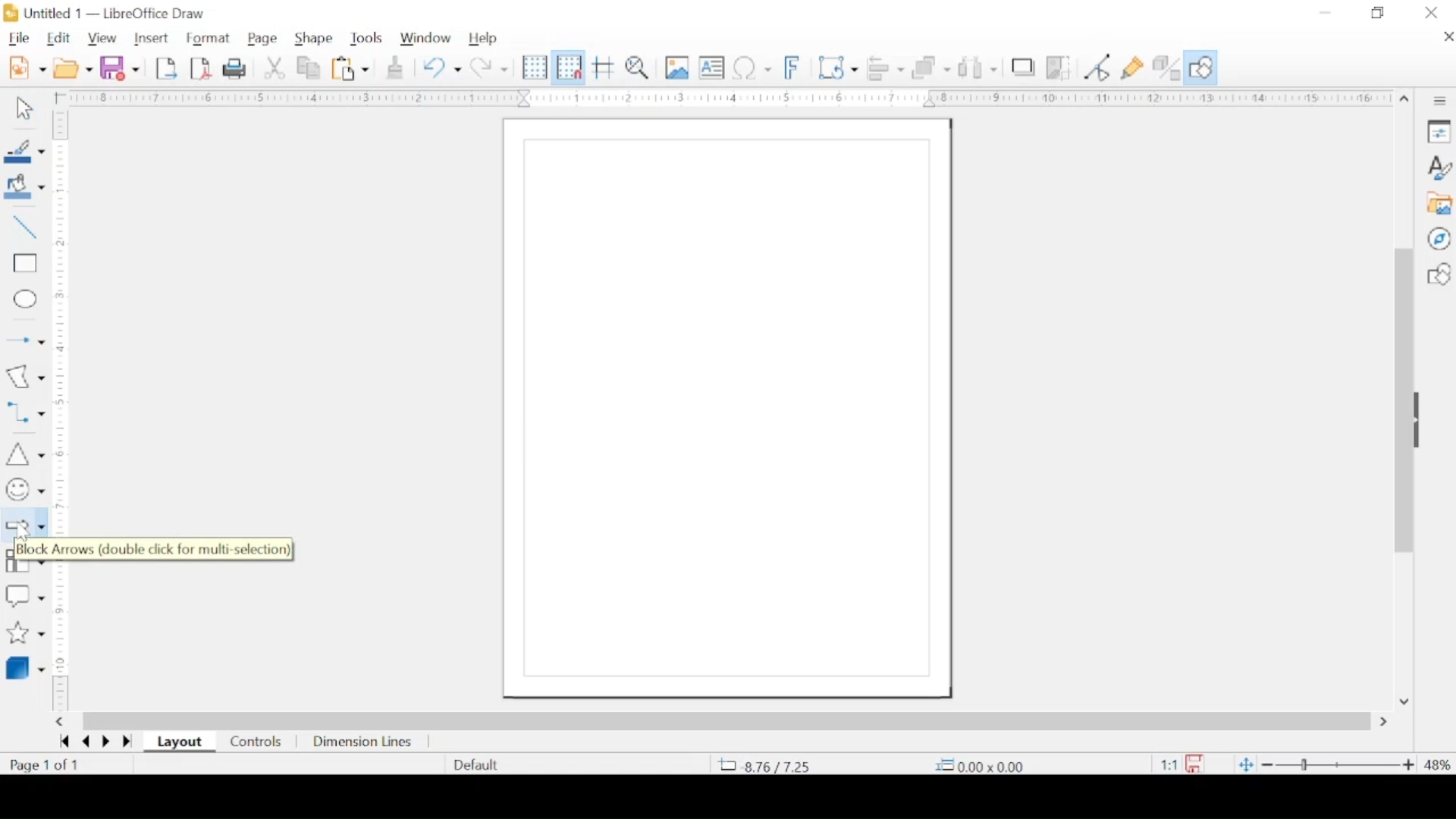 The image size is (1456, 819). I want to click on window, so click(427, 38).